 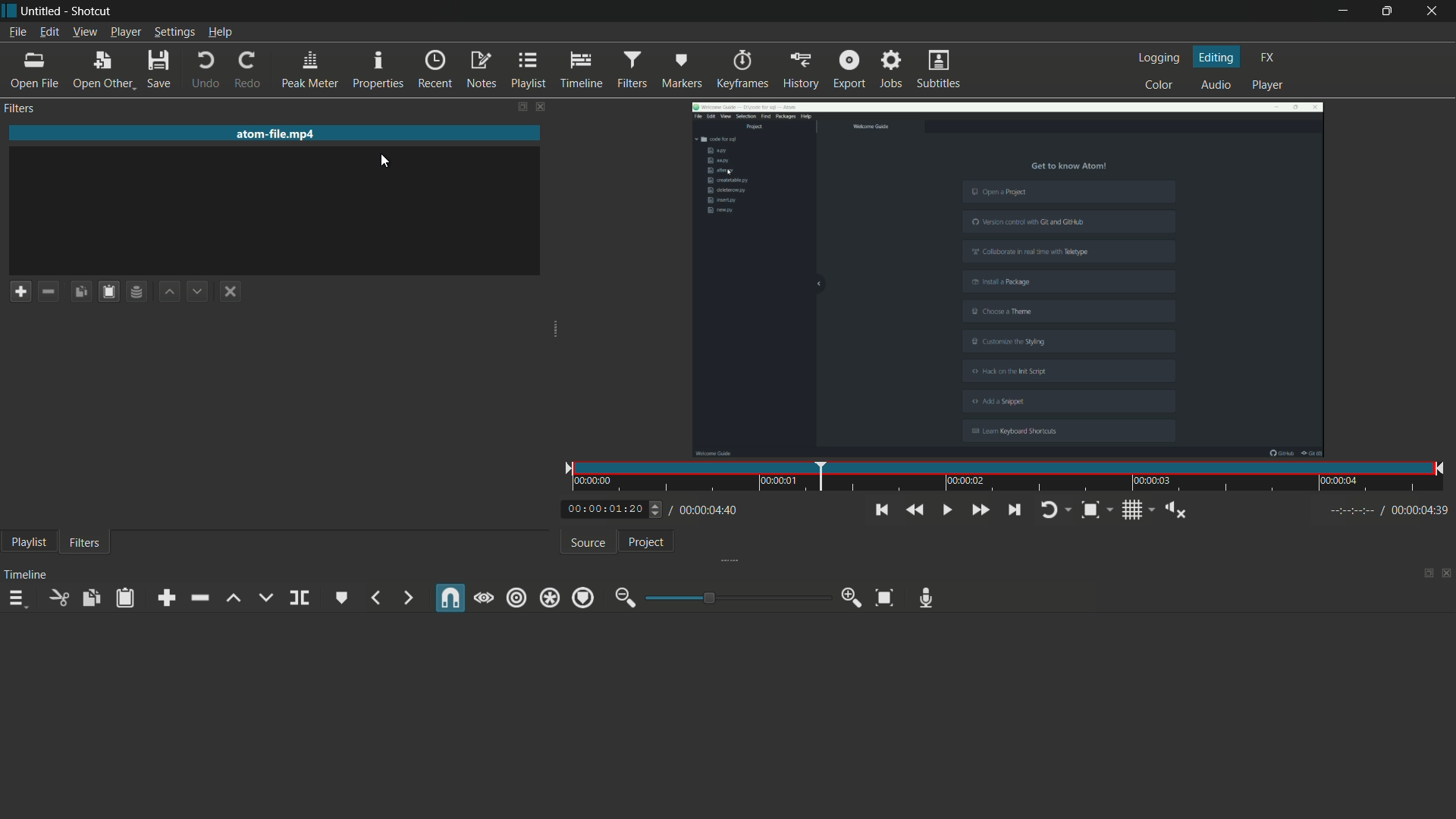 What do you see at coordinates (927, 598) in the screenshot?
I see `record audio` at bounding box center [927, 598].